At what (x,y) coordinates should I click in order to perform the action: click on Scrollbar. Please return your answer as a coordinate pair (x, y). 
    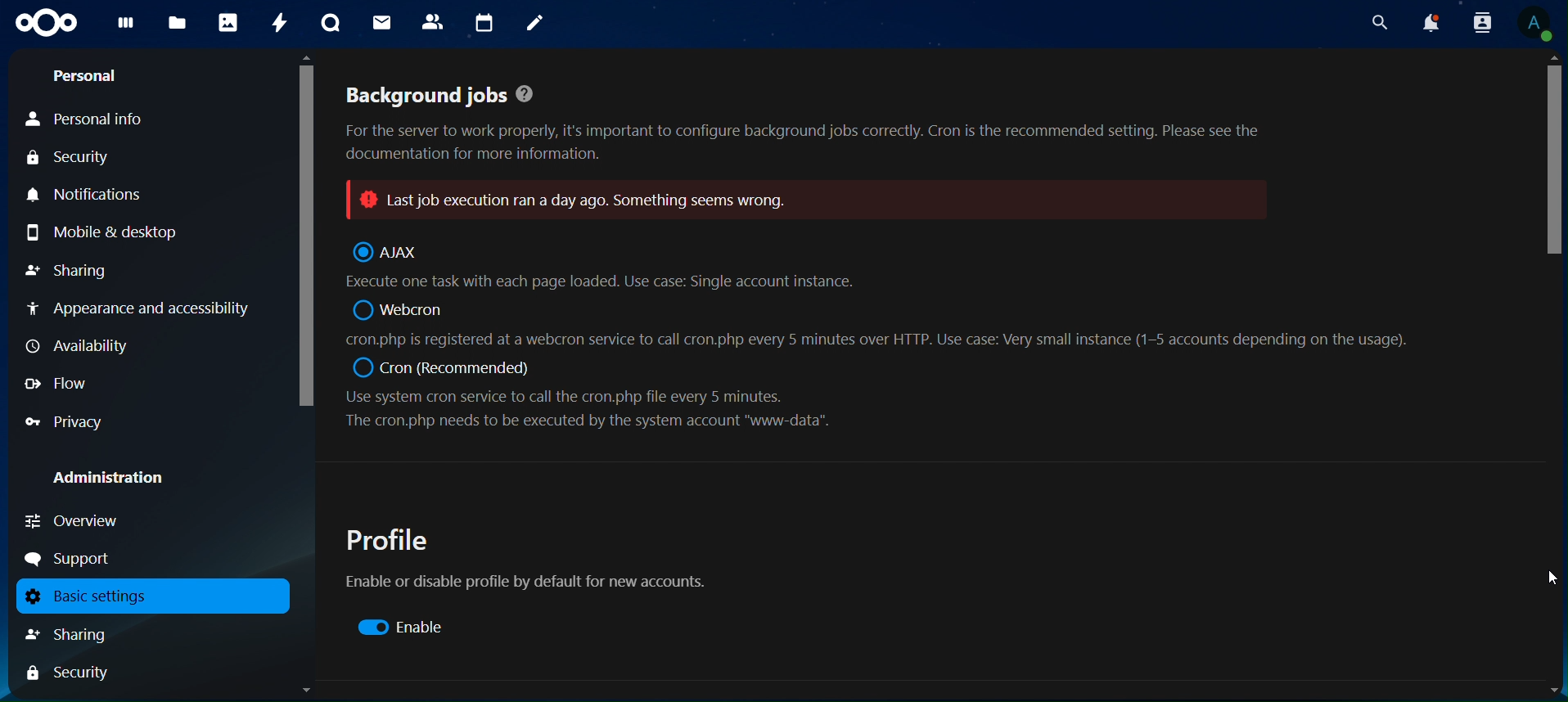
    Looking at the image, I should click on (304, 374).